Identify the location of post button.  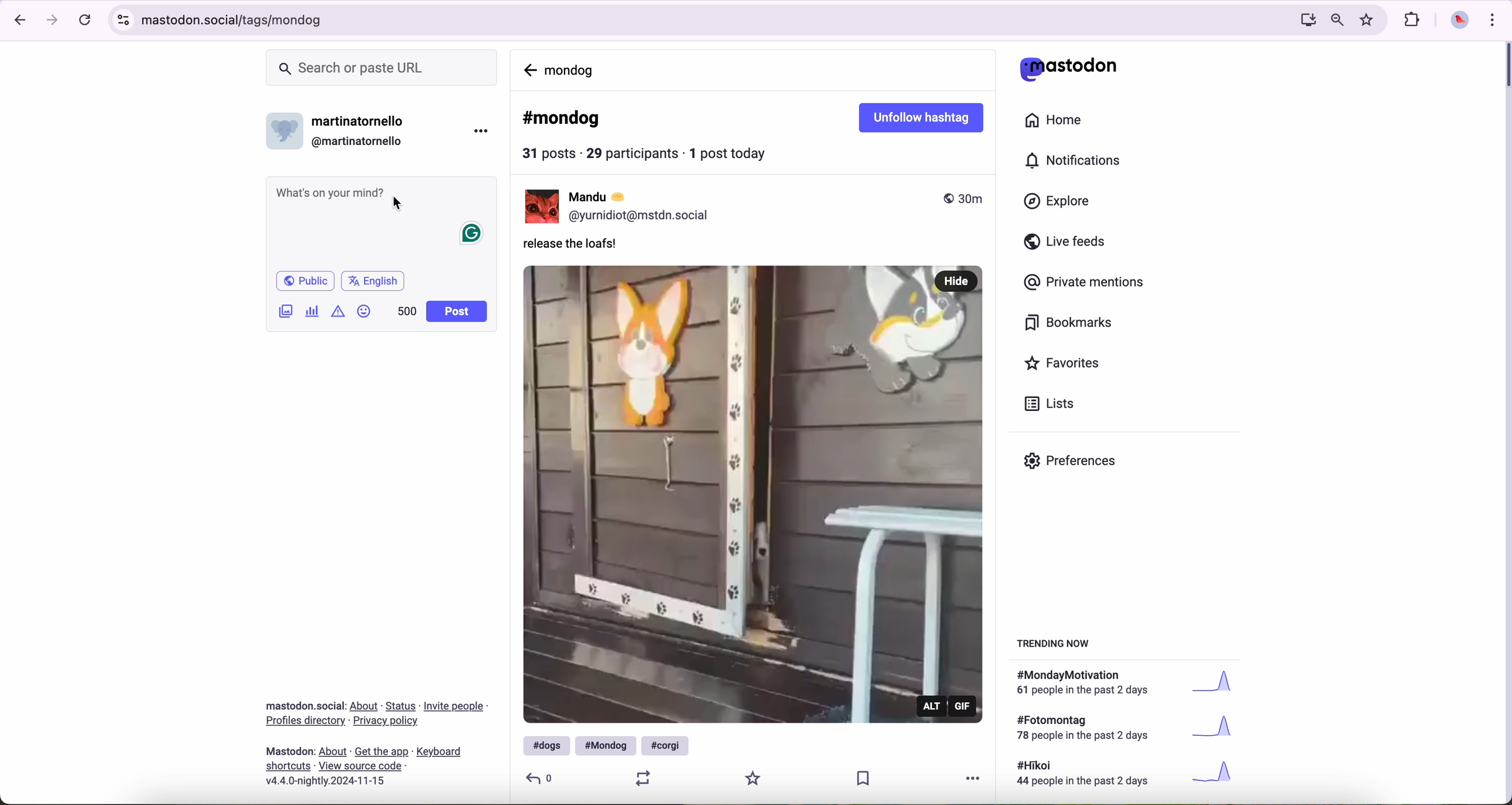
(457, 311).